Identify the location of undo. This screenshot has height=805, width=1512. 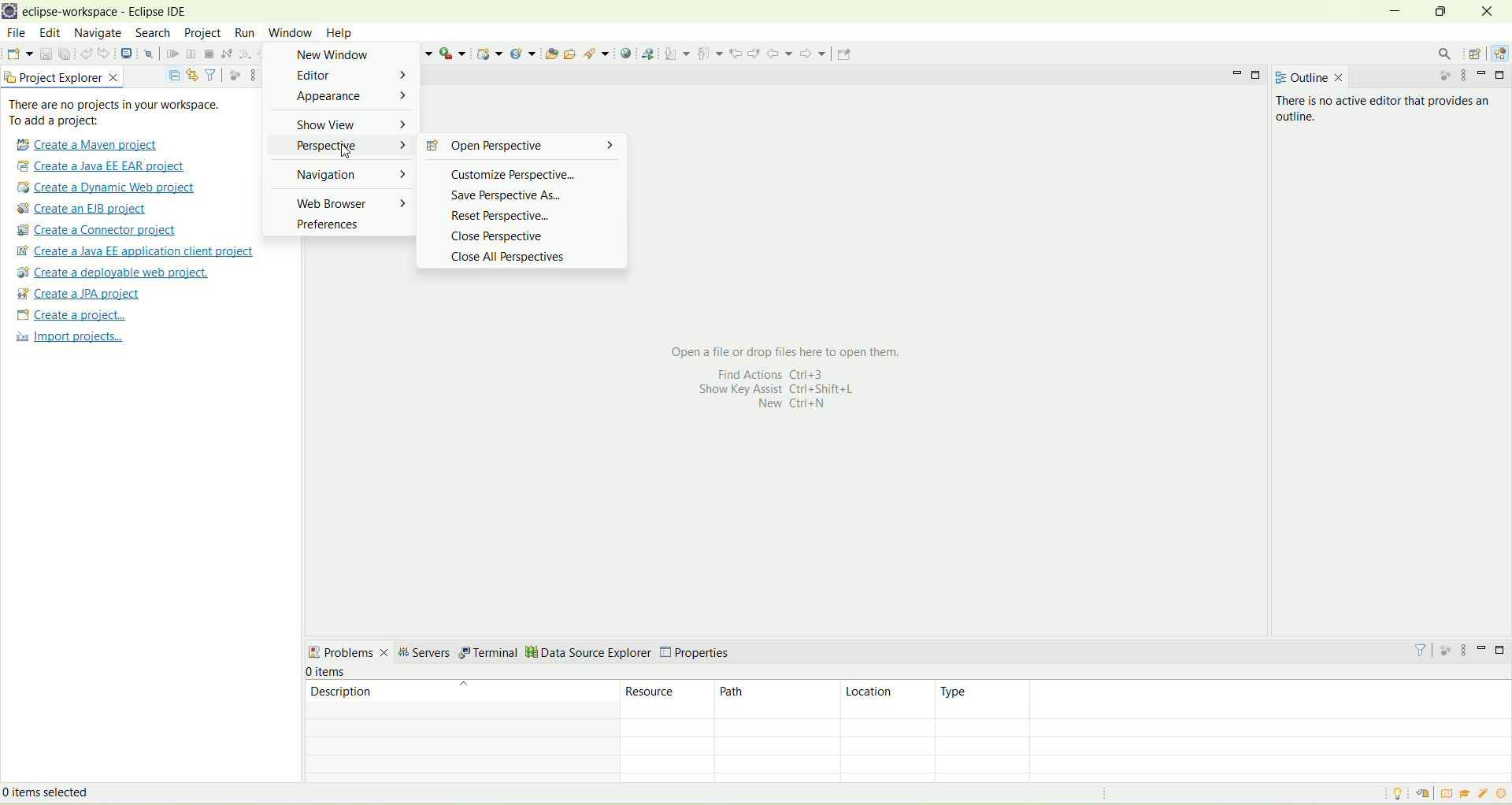
(86, 56).